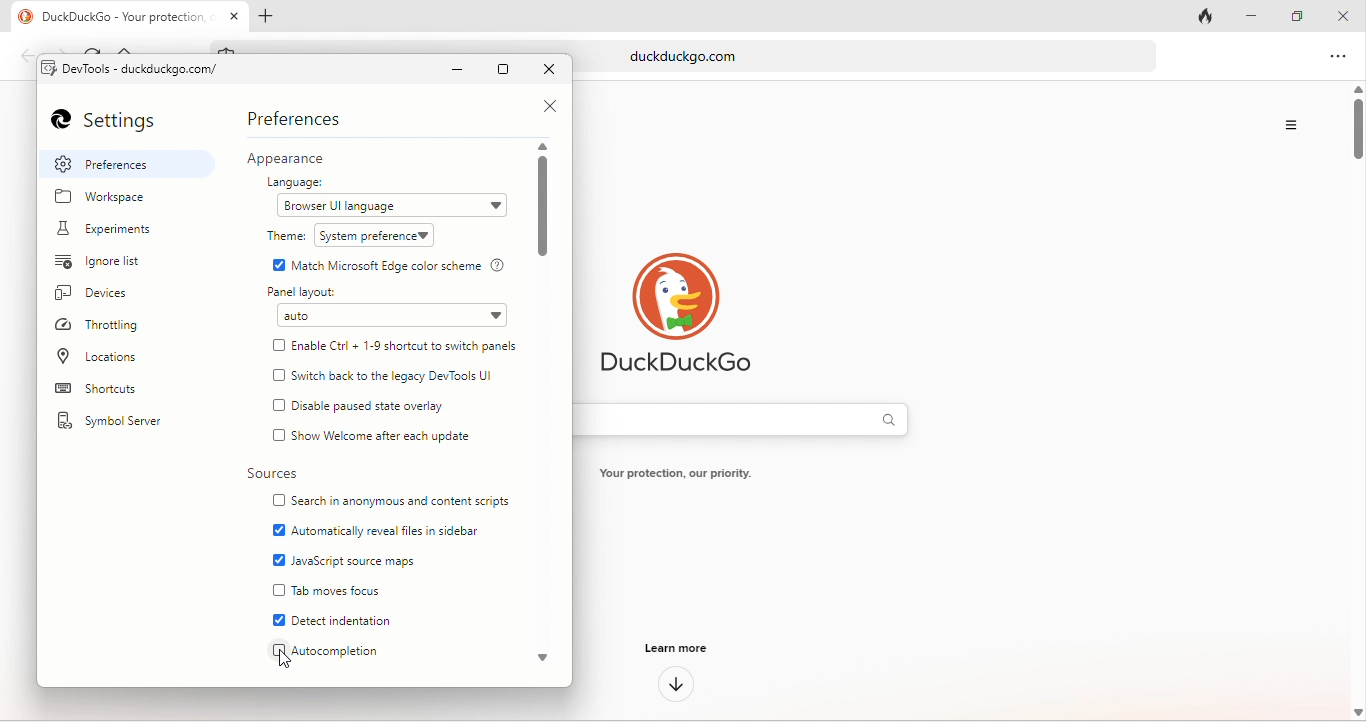 The image size is (1366, 722). What do you see at coordinates (389, 406) in the screenshot?
I see `disable paused state overlay` at bounding box center [389, 406].